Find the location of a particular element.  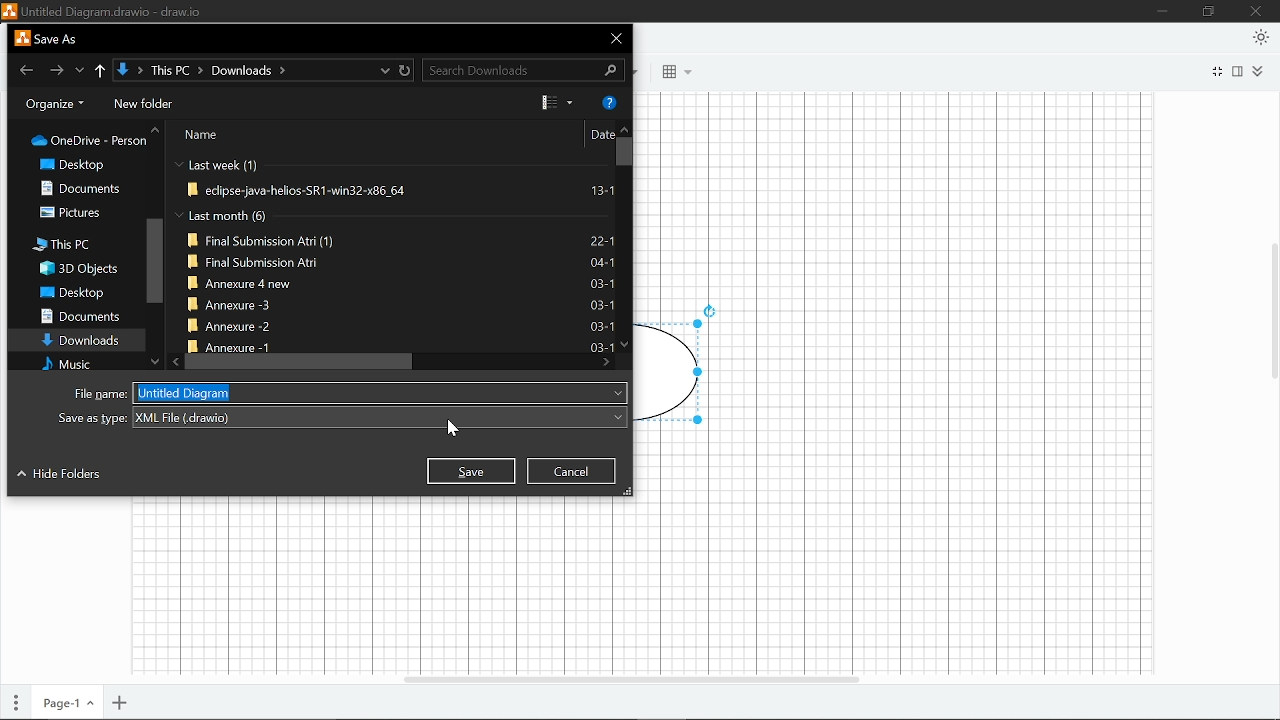

One drive is located at coordinates (91, 144).